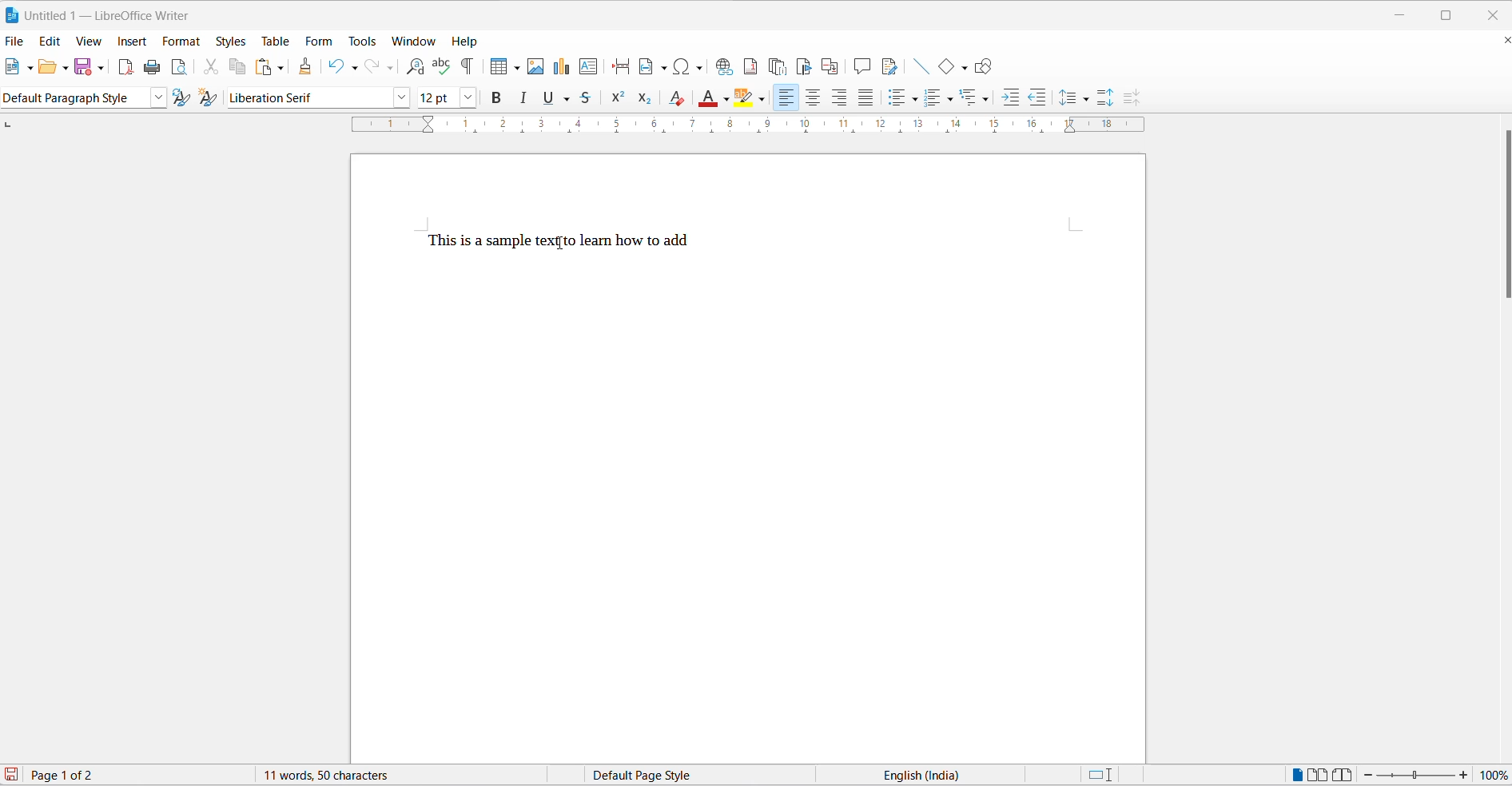  What do you see at coordinates (391, 67) in the screenshot?
I see `redo  options` at bounding box center [391, 67].